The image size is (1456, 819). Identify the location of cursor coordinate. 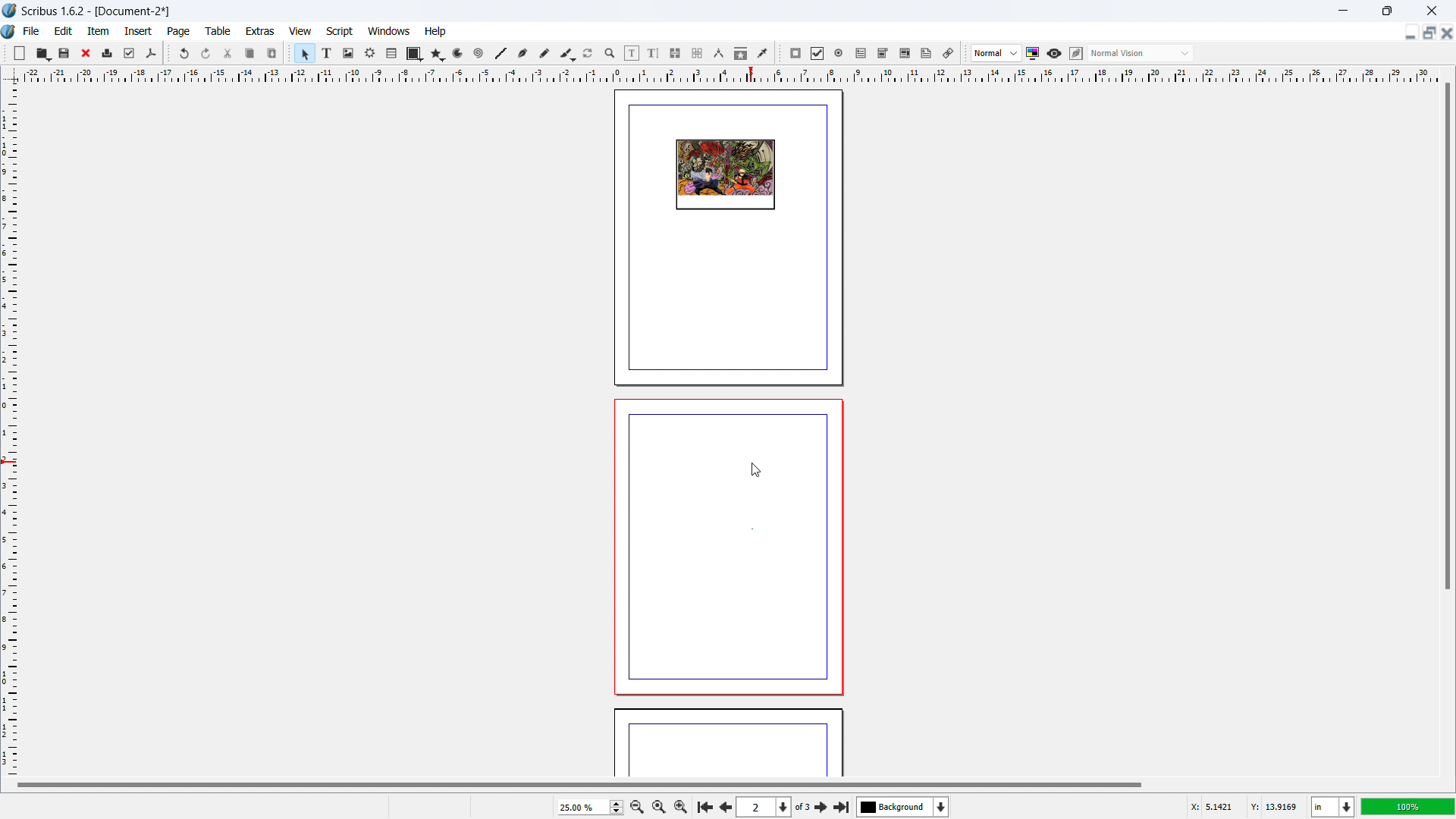
(1243, 805).